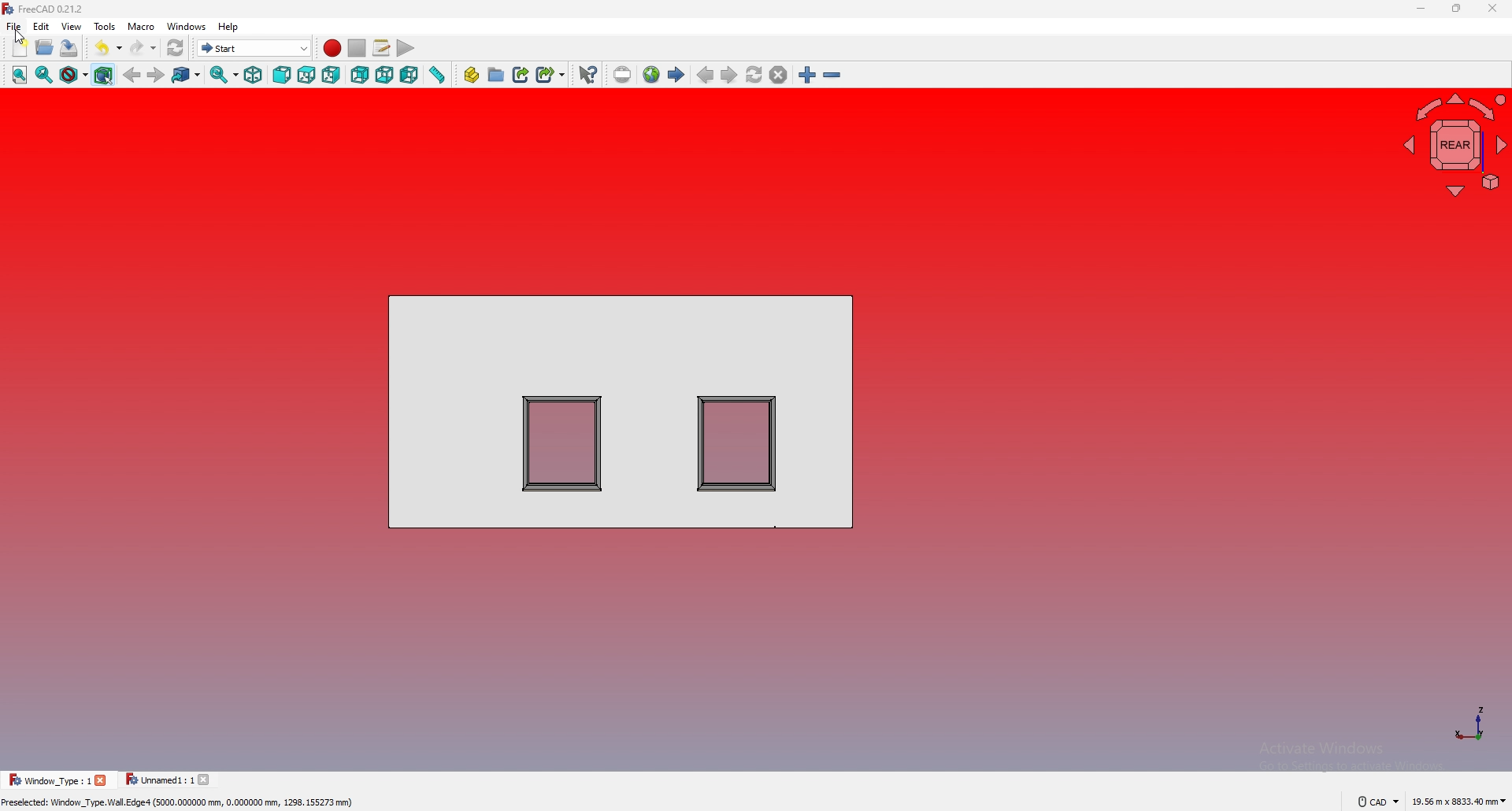  Describe the element at coordinates (1372, 801) in the screenshot. I see `CAD` at that location.